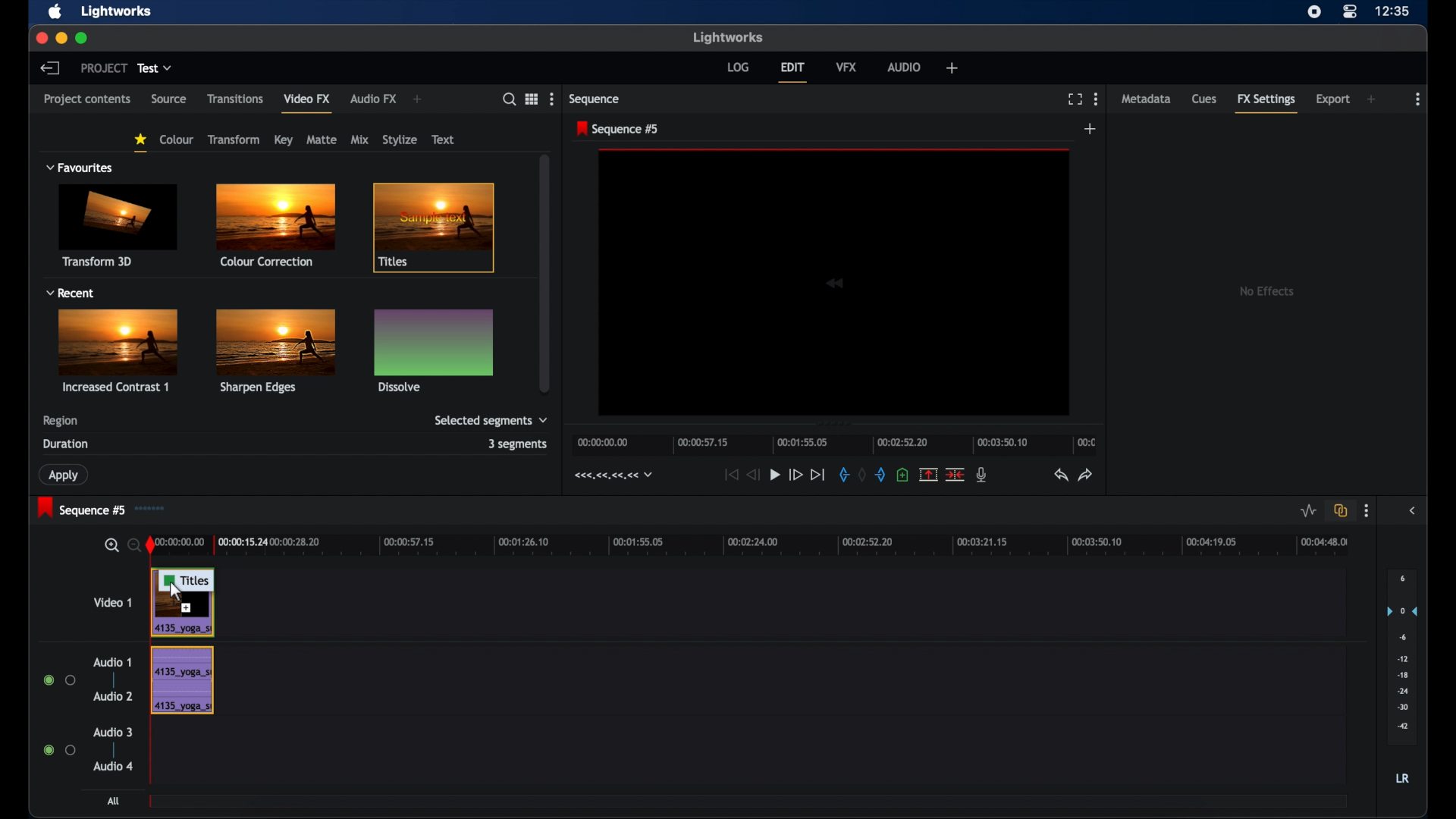 The width and height of the screenshot is (1456, 819). Describe the element at coordinates (952, 68) in the screenshot. I see `add` at that location.